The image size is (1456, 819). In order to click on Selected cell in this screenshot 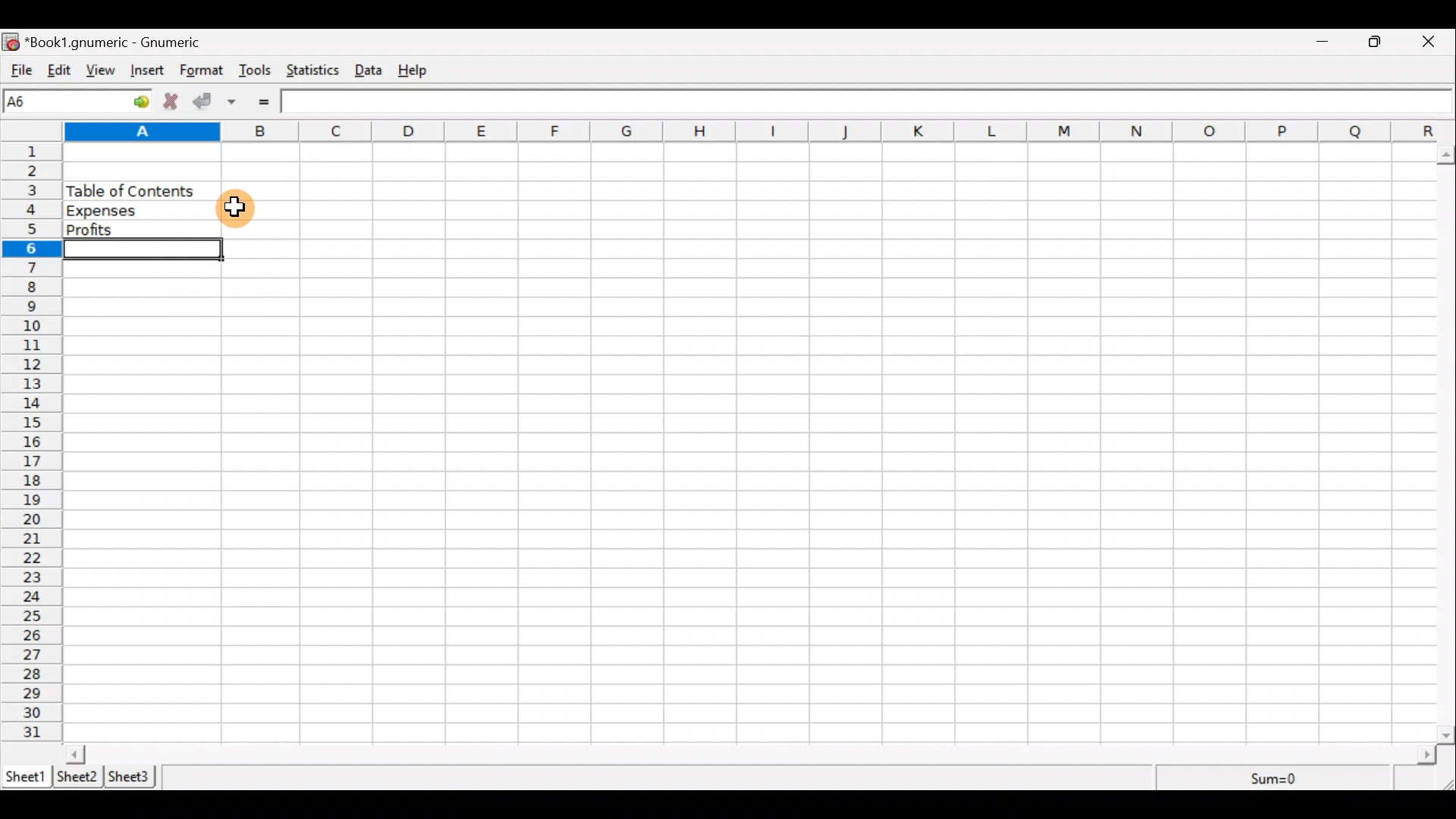, I will do `click(144, 249)`.